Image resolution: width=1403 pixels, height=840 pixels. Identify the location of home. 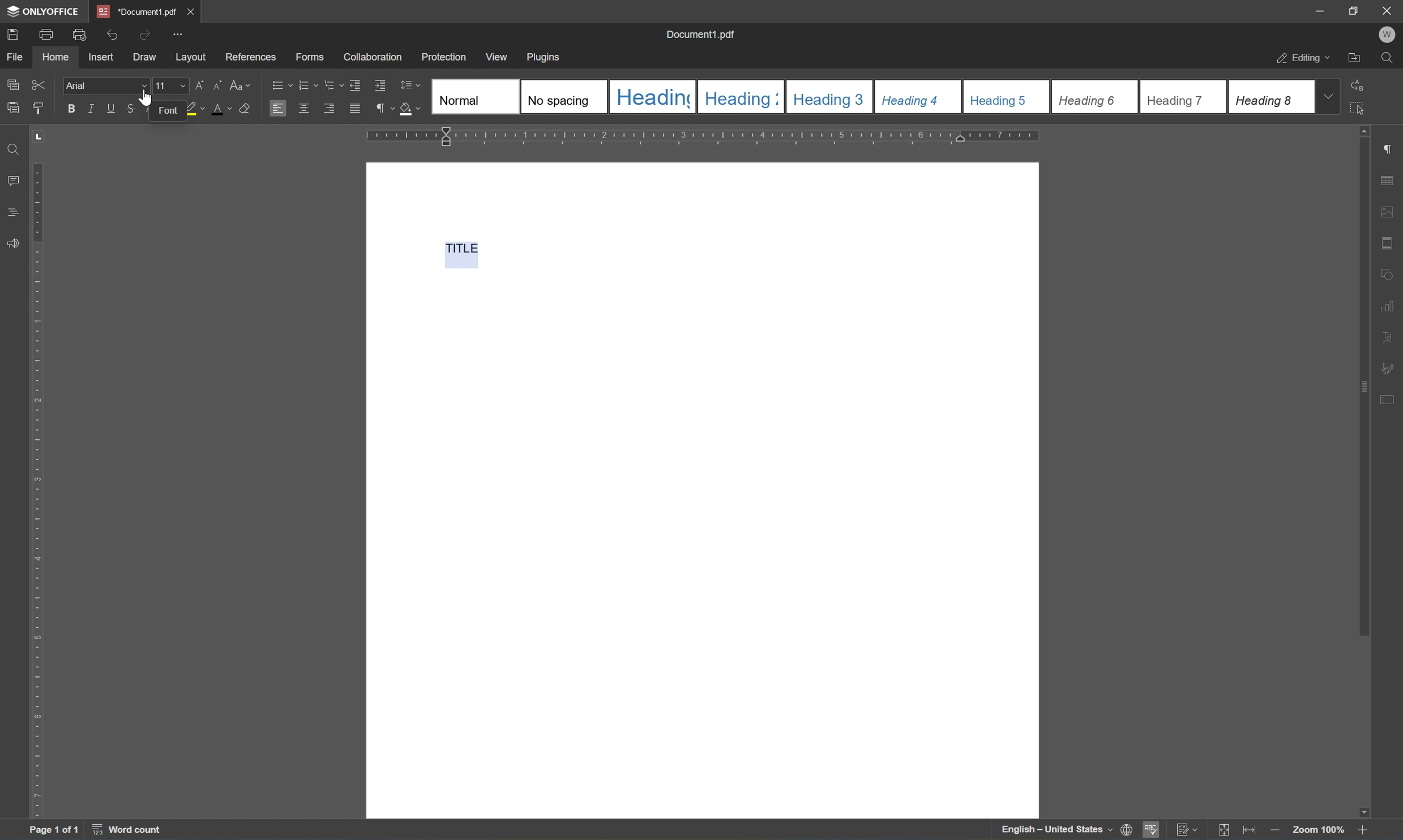
(57, 55).